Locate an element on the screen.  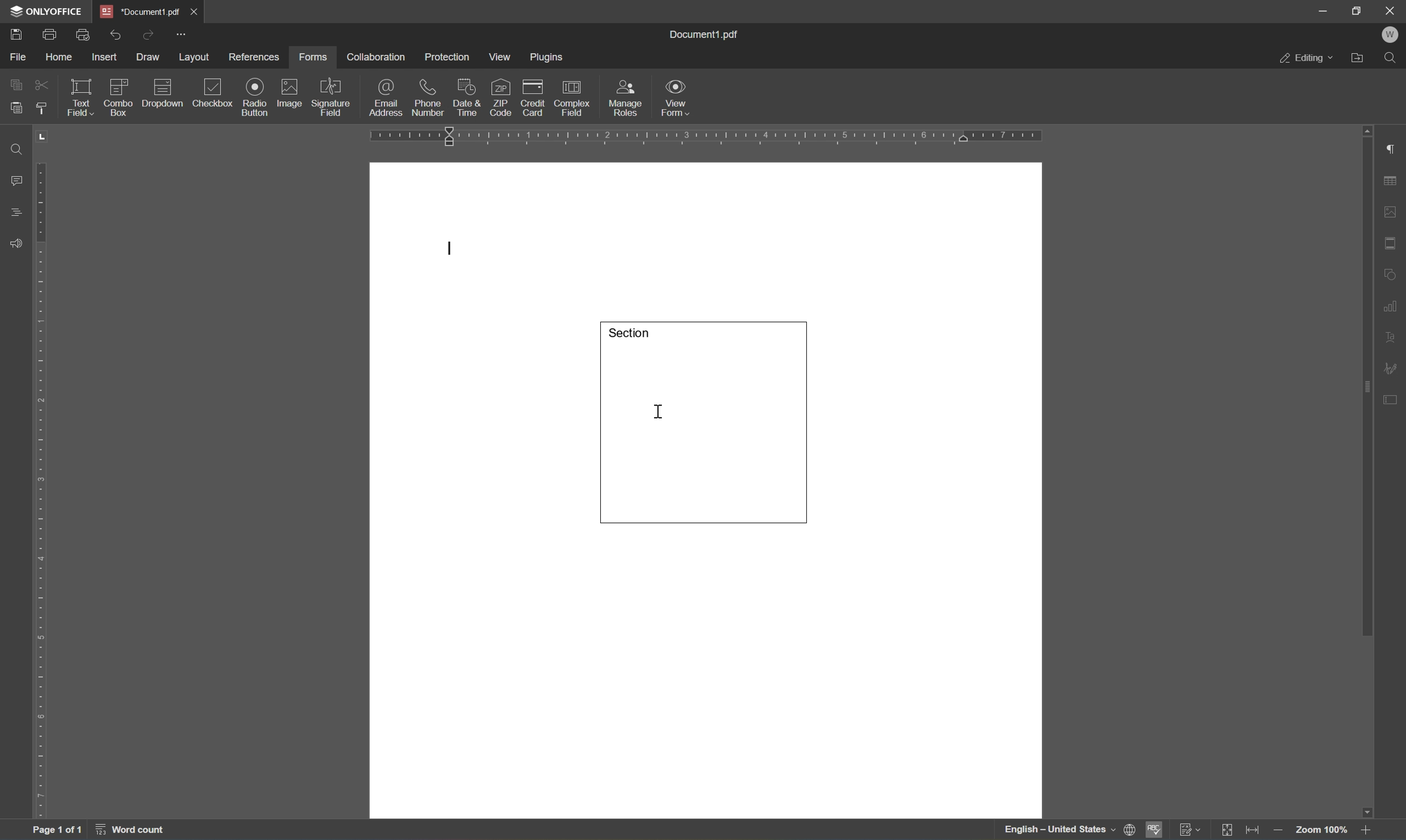
complex field is located at coordinates (573, 97).